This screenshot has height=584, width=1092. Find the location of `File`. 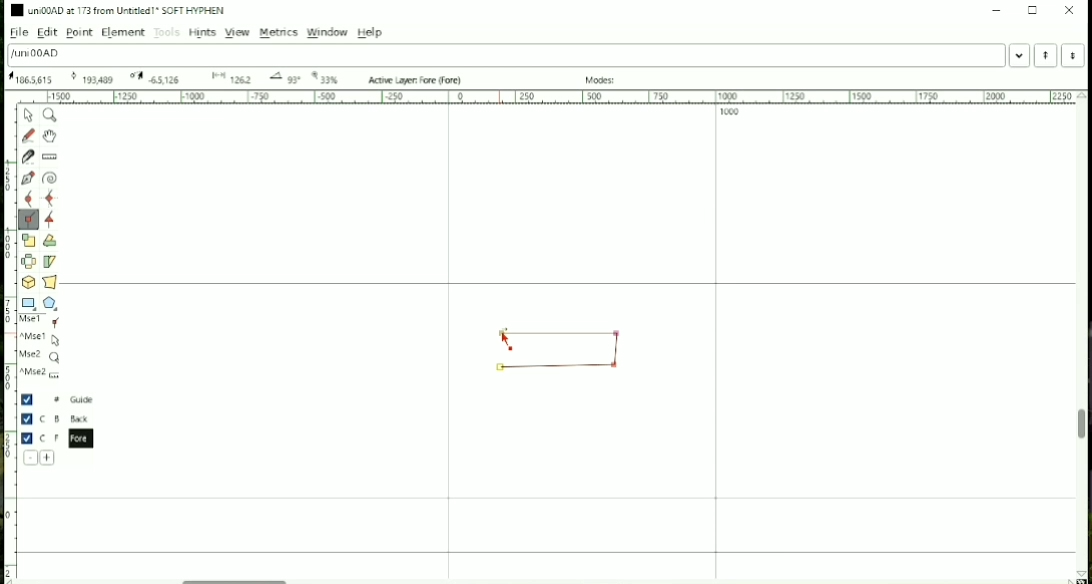

File is located at coordinates (17, 33).